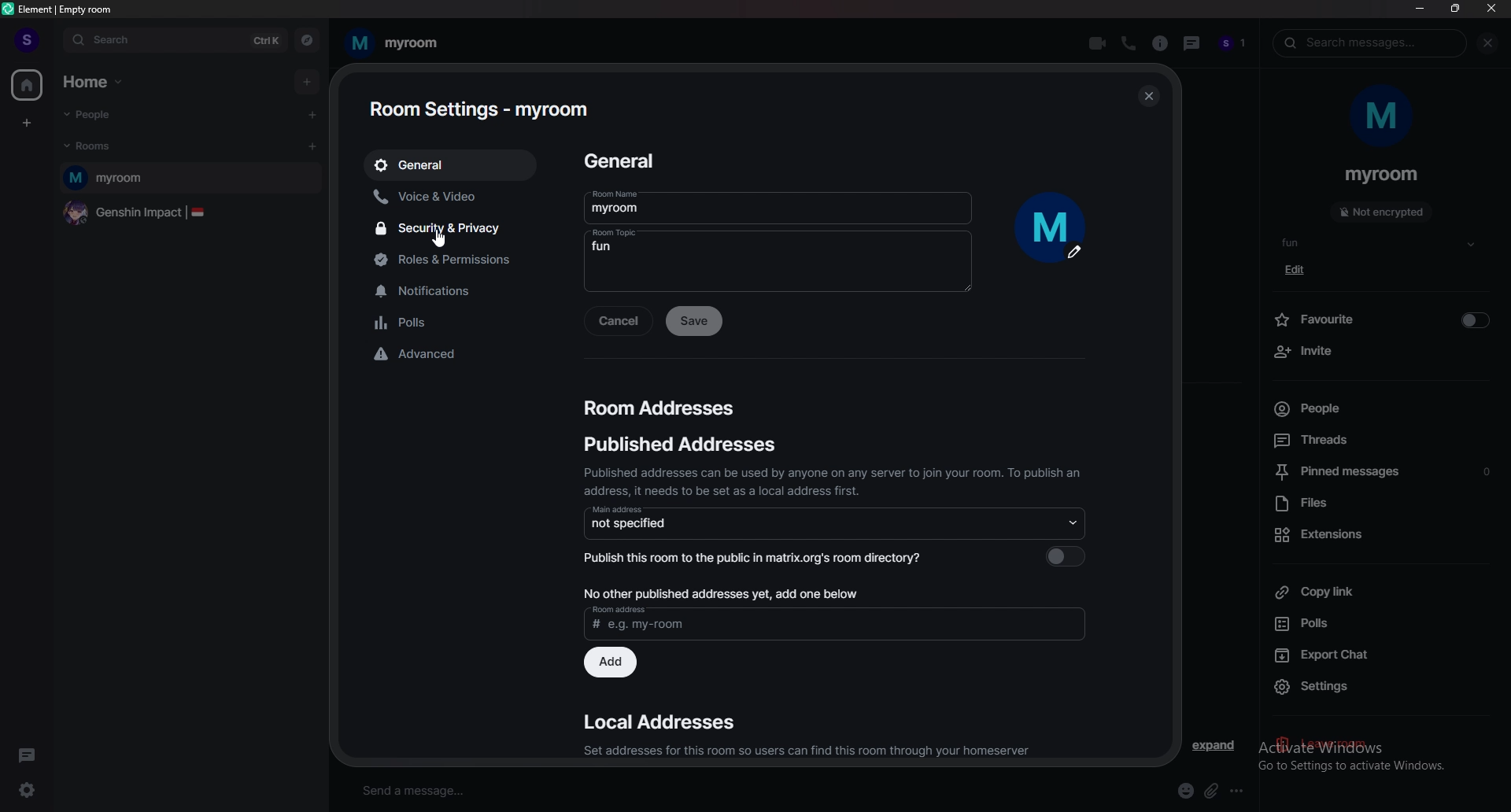 The image size is (1511, 812). I want to click on voice call, so click(1129, 44).